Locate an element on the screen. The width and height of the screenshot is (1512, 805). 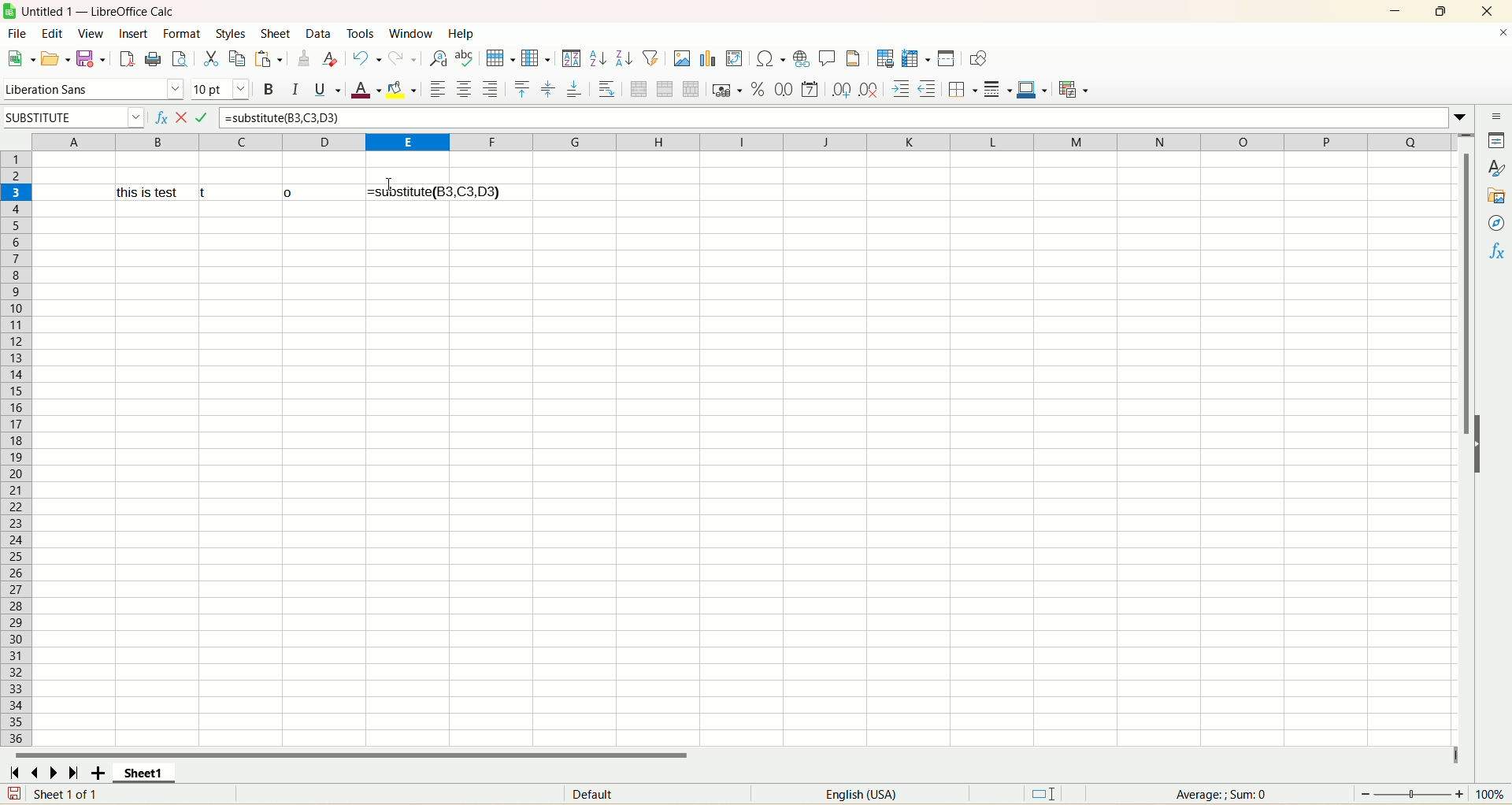
align right is located at coordinates (491, 88).